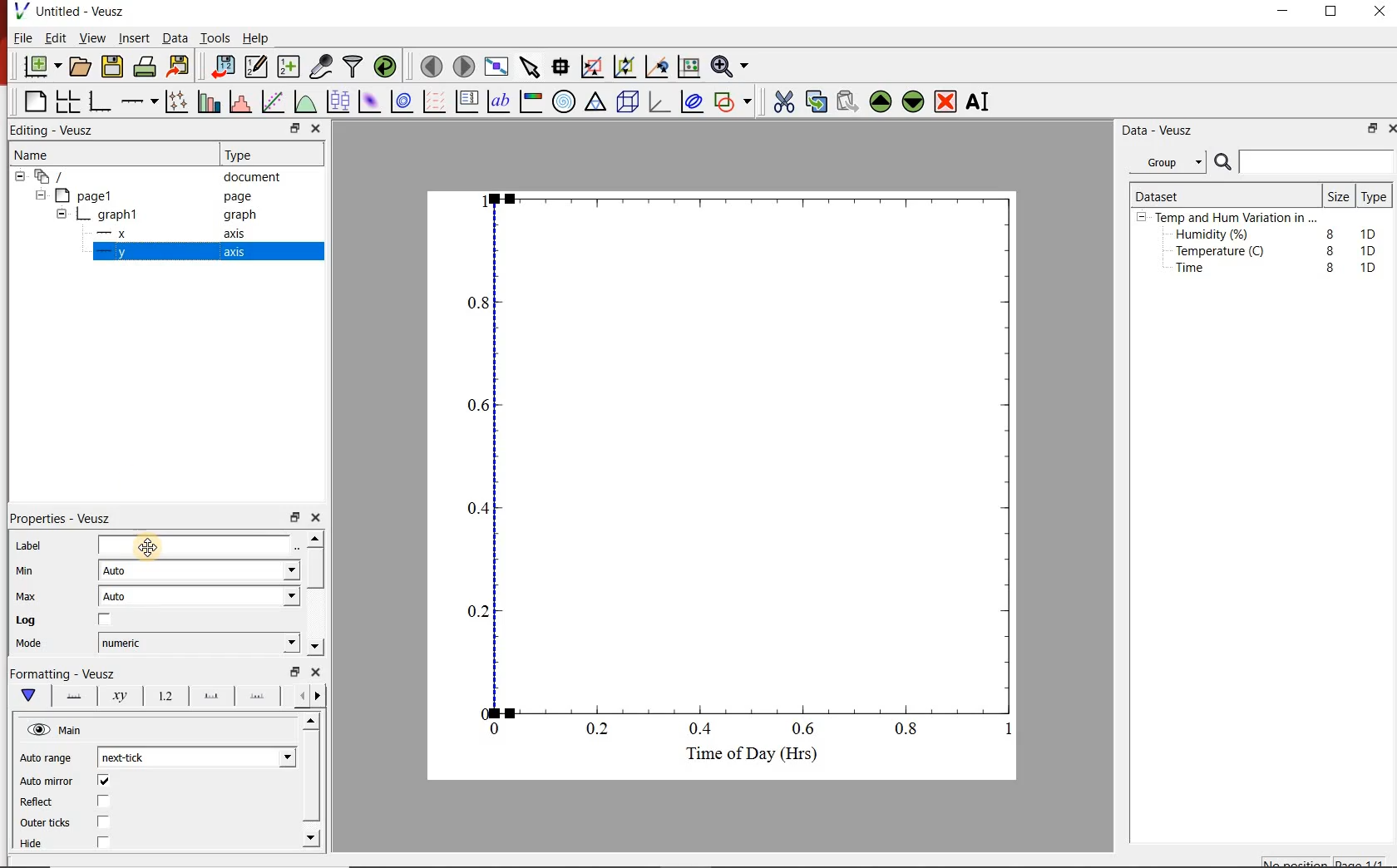  Describe the element at coordinates (222, 65) in the screenshot. I see `import data into Veusz` at that location.